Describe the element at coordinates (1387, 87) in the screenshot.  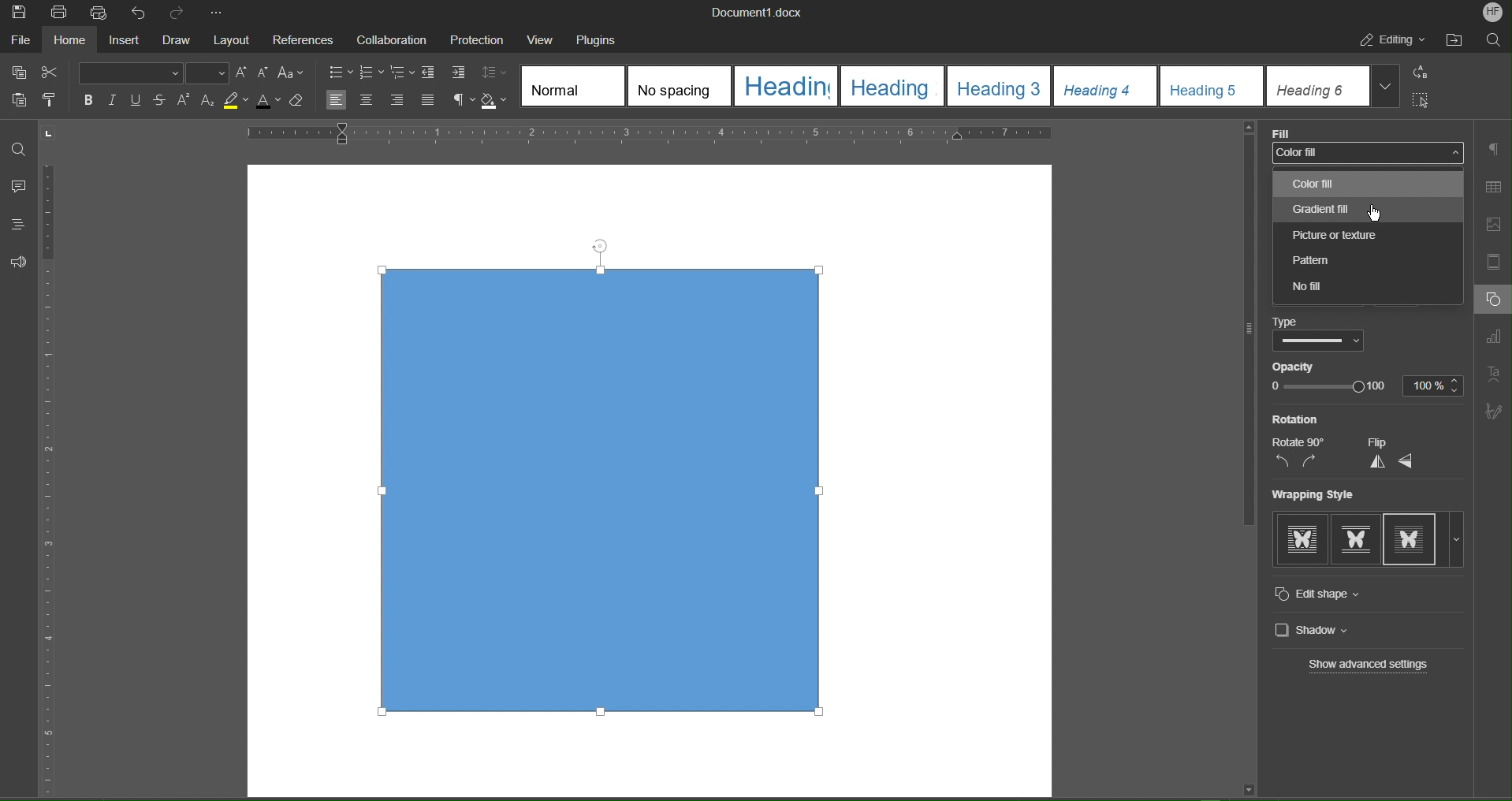
I see `More Headings` at that location.